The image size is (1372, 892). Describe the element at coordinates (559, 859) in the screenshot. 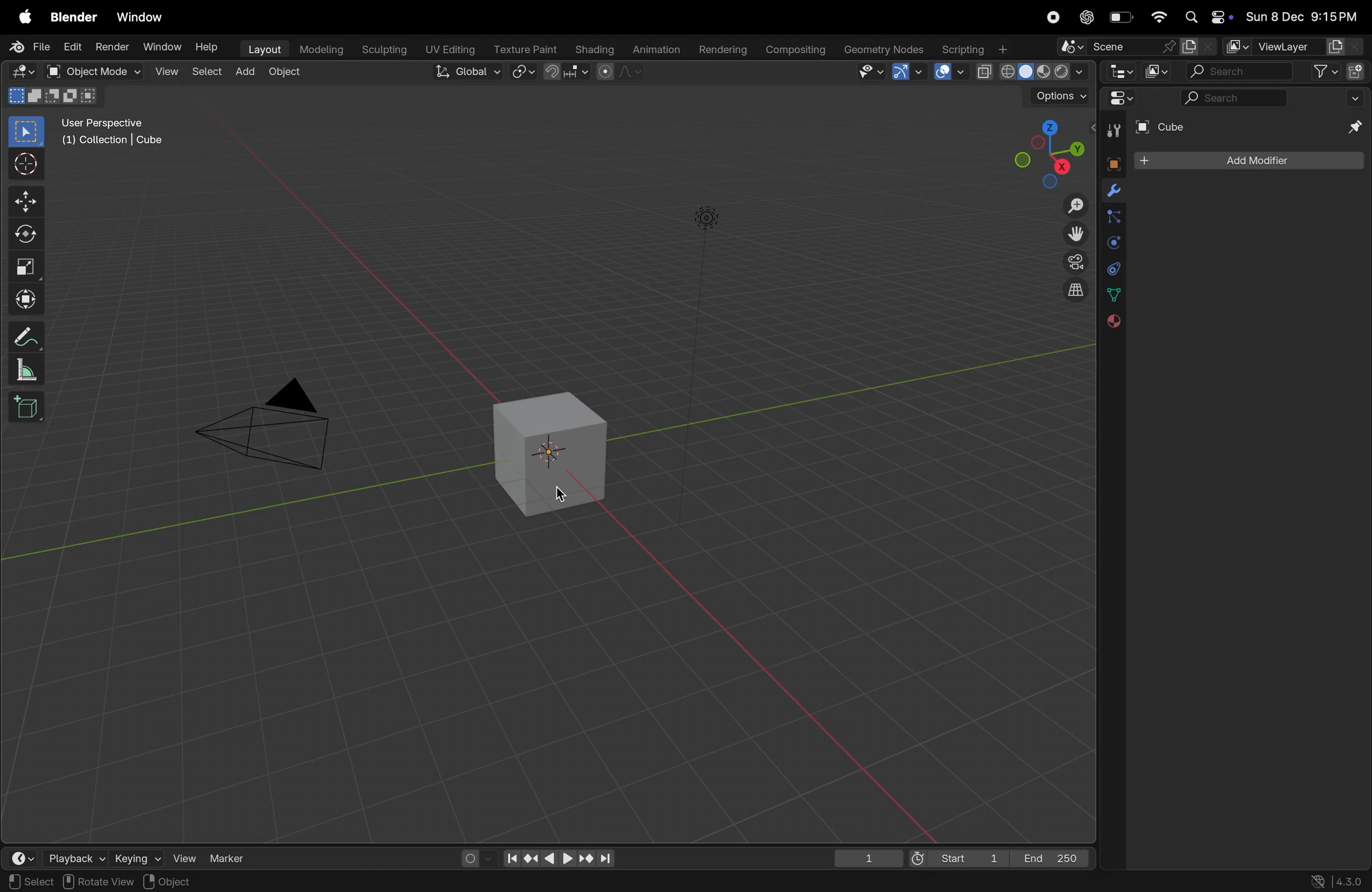

I see `playbacks controls` at that location.